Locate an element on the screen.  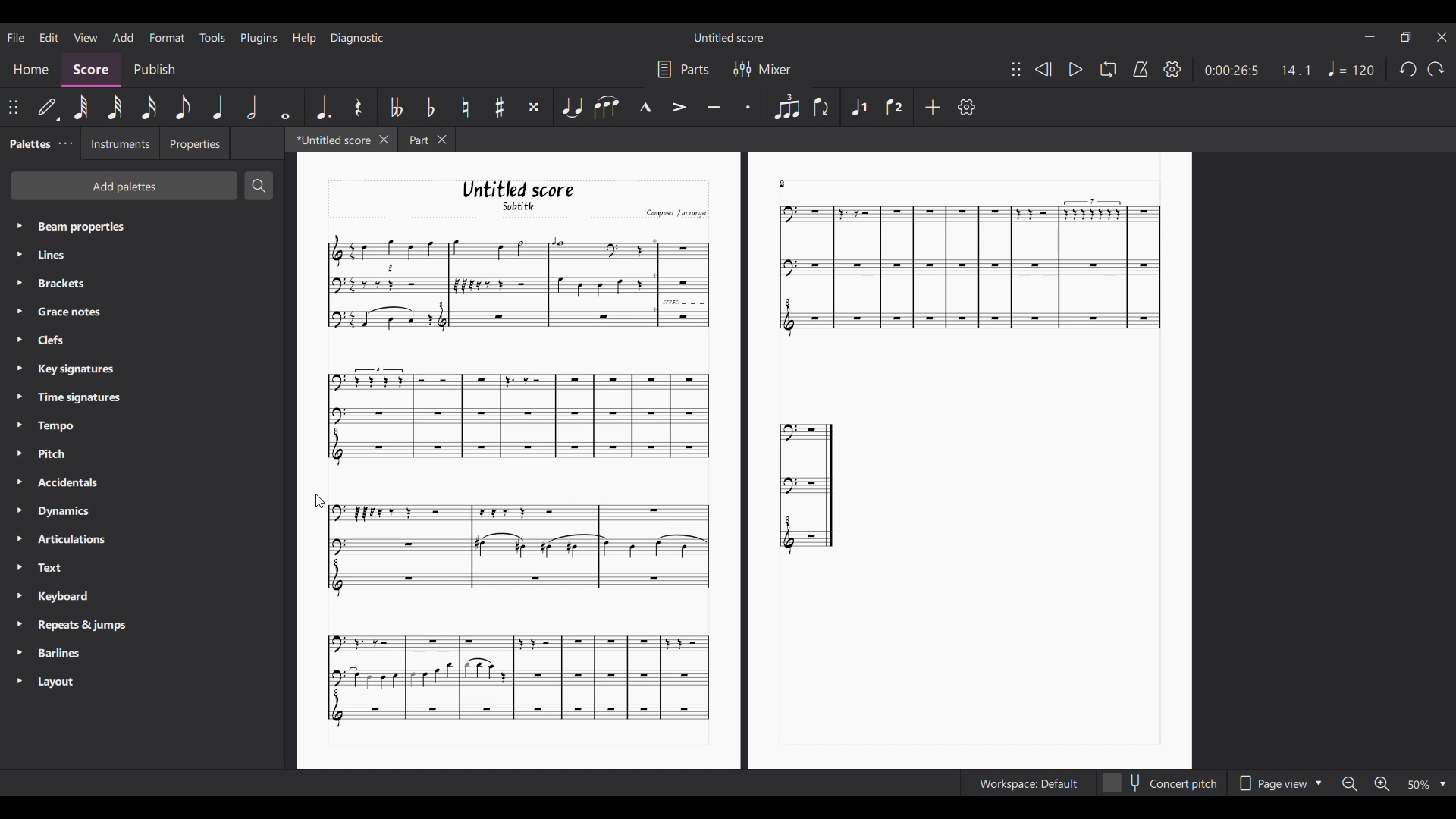
Metronome is located at coordinates (1141, 69).